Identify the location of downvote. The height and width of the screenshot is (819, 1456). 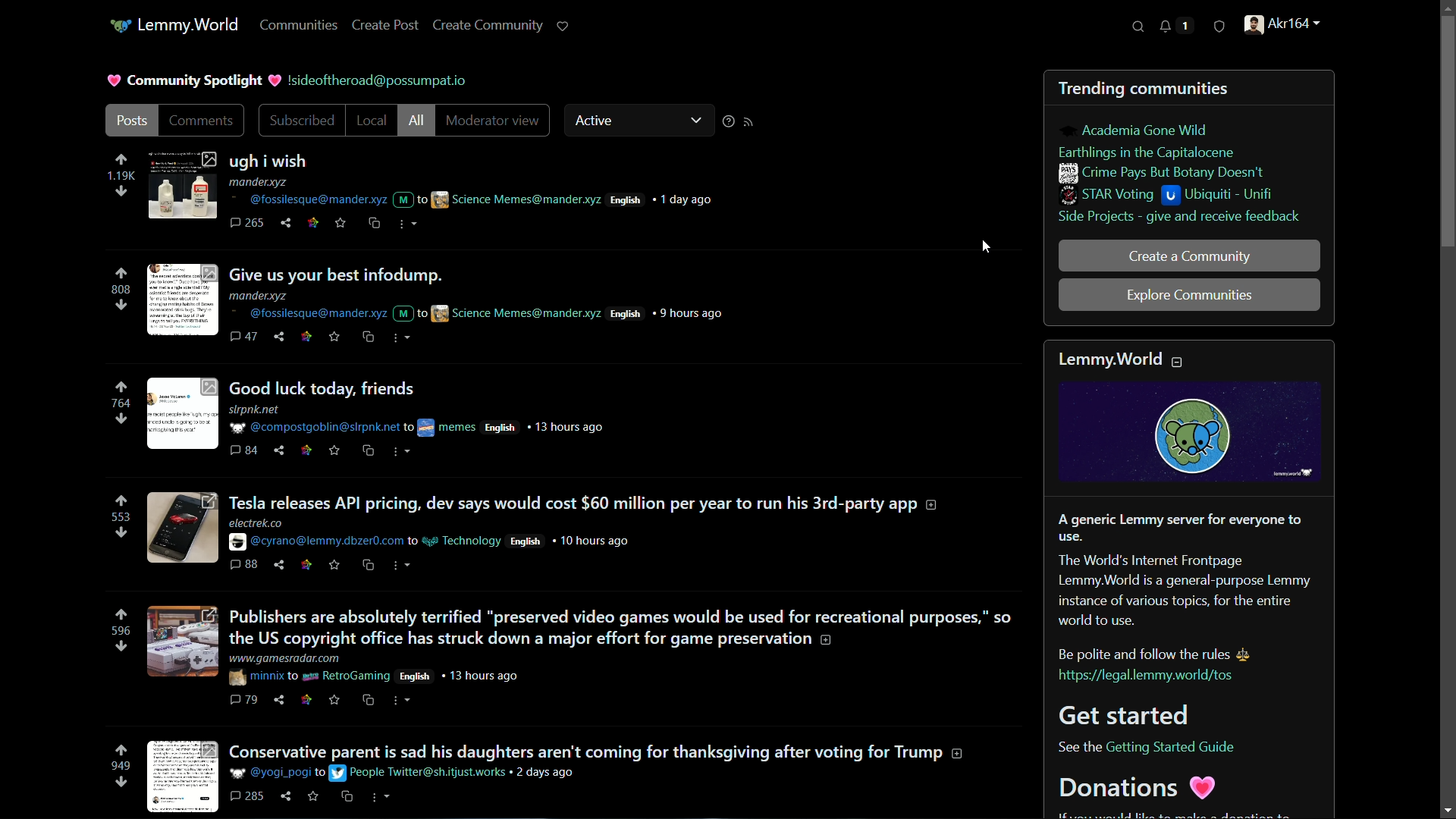
(120, 646).